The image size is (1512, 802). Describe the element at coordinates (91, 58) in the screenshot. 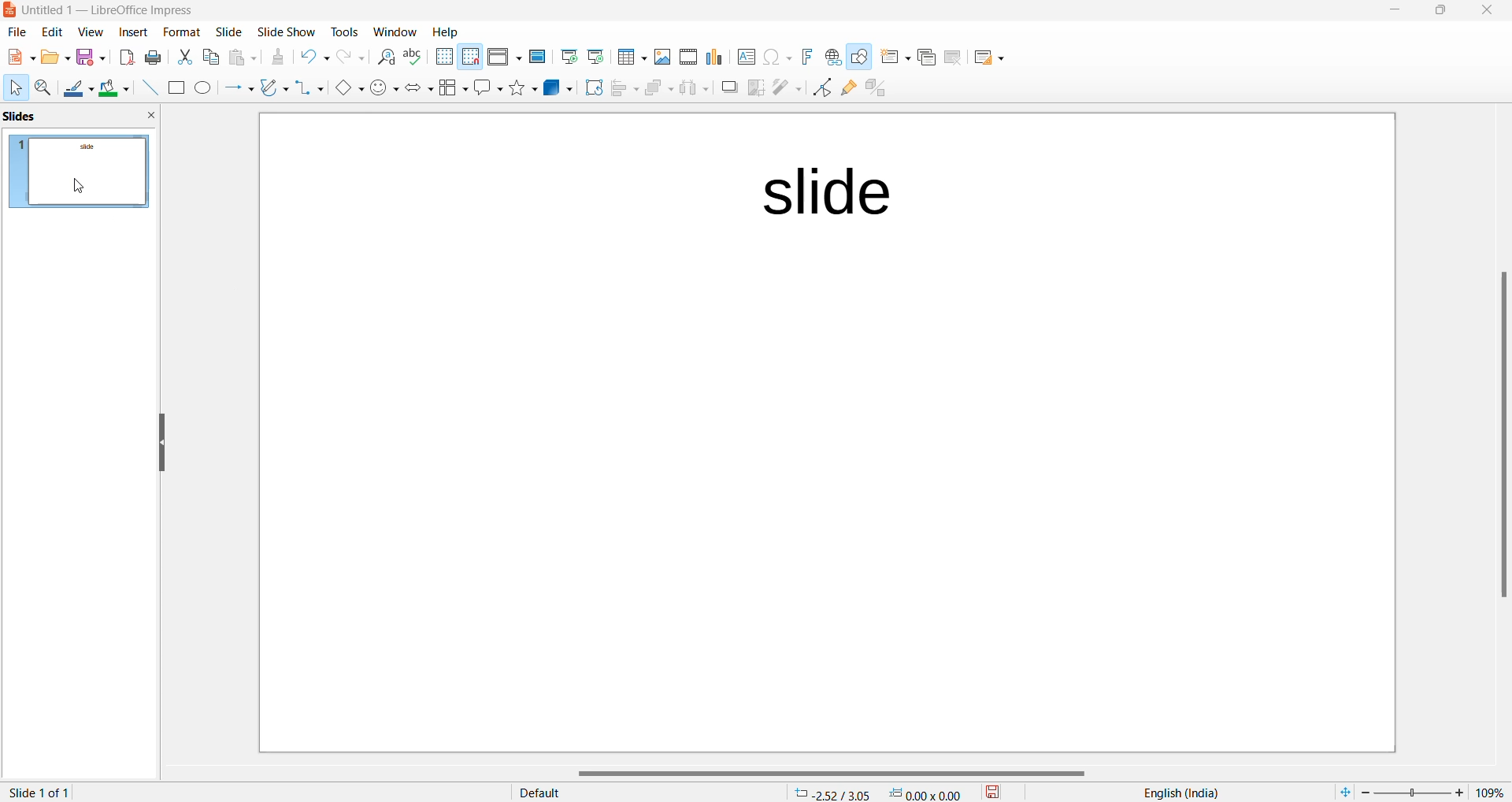

I see `save option` at that location.